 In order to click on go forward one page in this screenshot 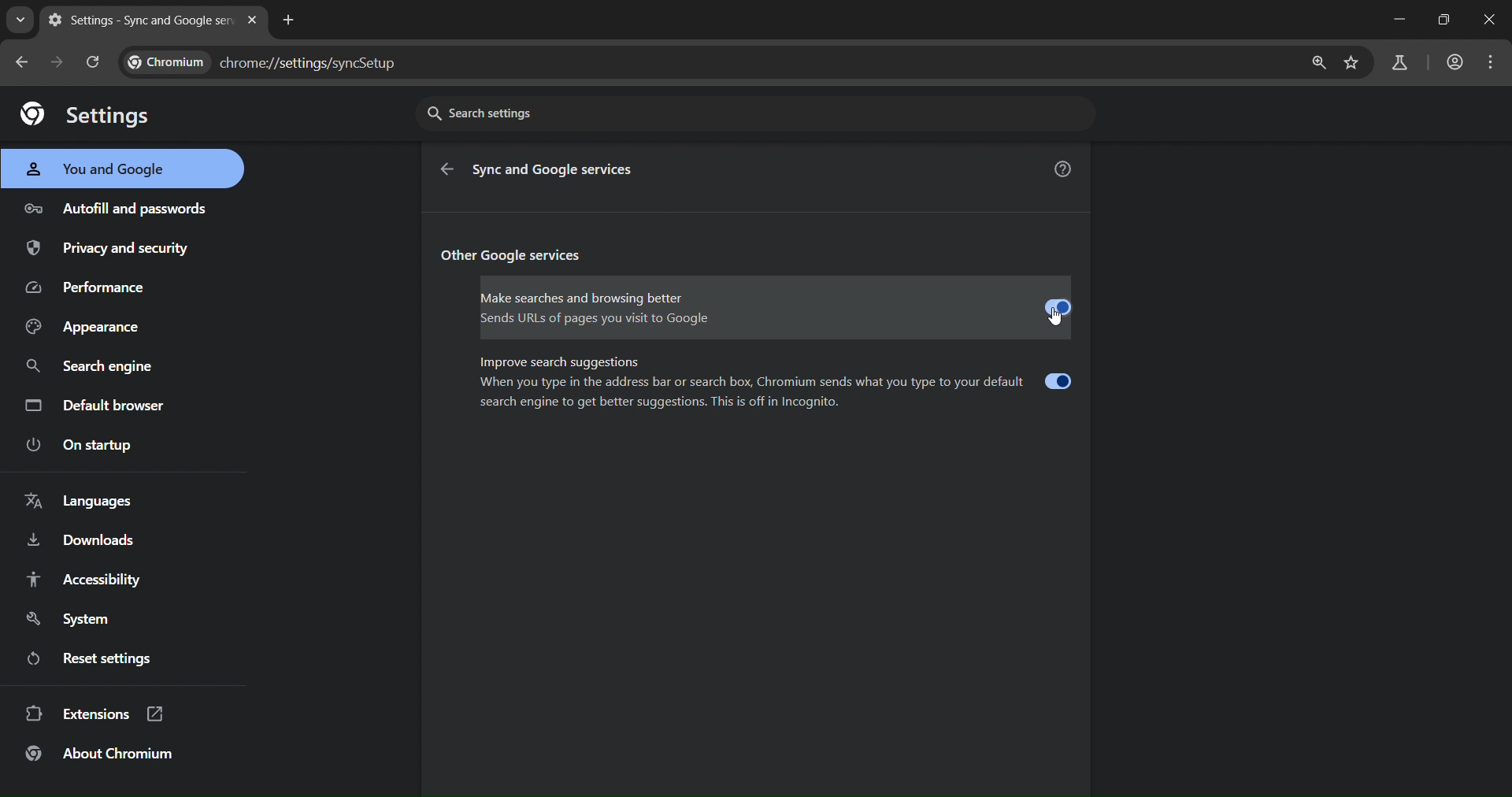, I will do `click(61, 65)`.